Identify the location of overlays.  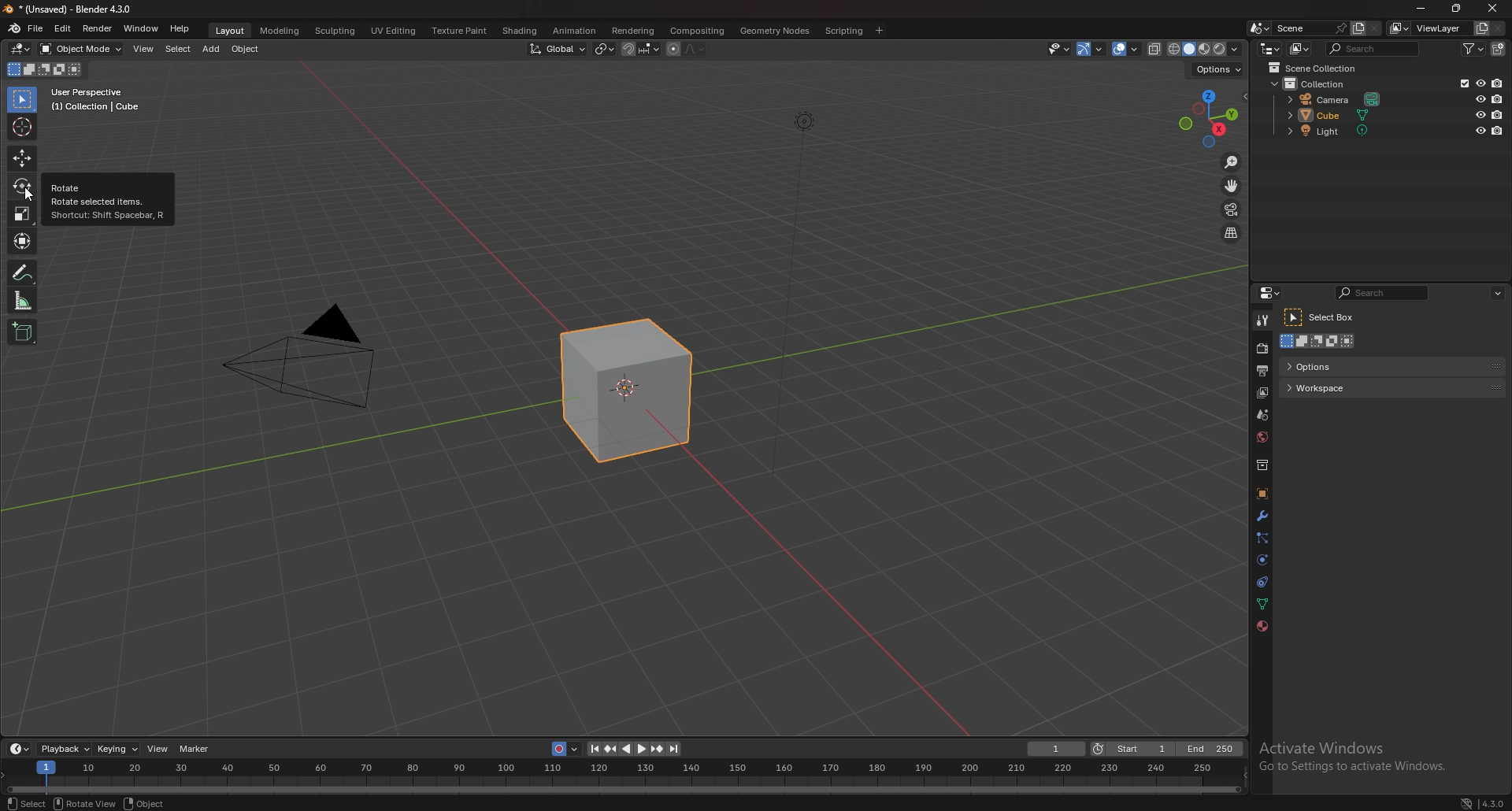
(1127, 49).